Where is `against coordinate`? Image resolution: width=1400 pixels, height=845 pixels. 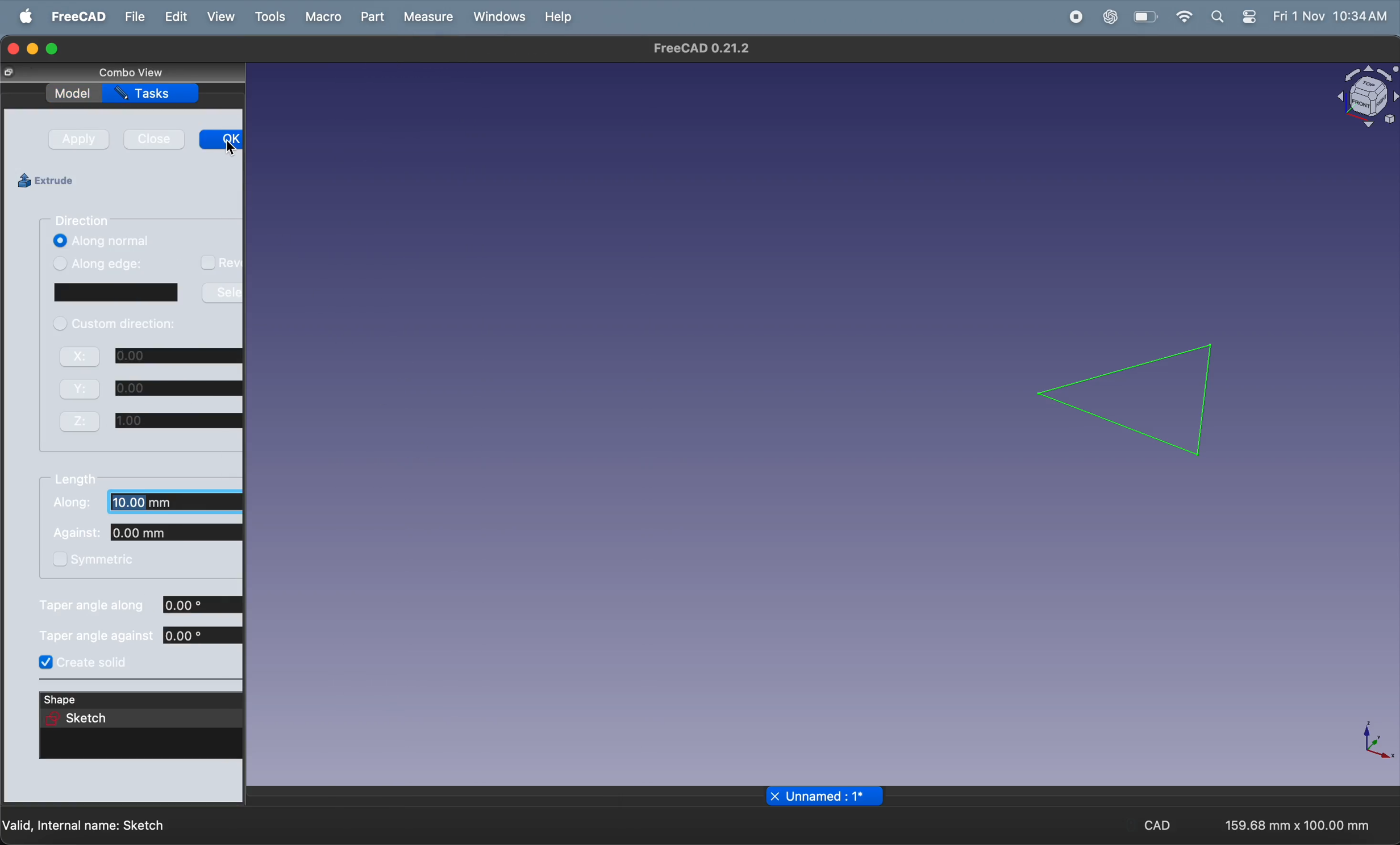
against coordinate is located at coordinates (180, 532).